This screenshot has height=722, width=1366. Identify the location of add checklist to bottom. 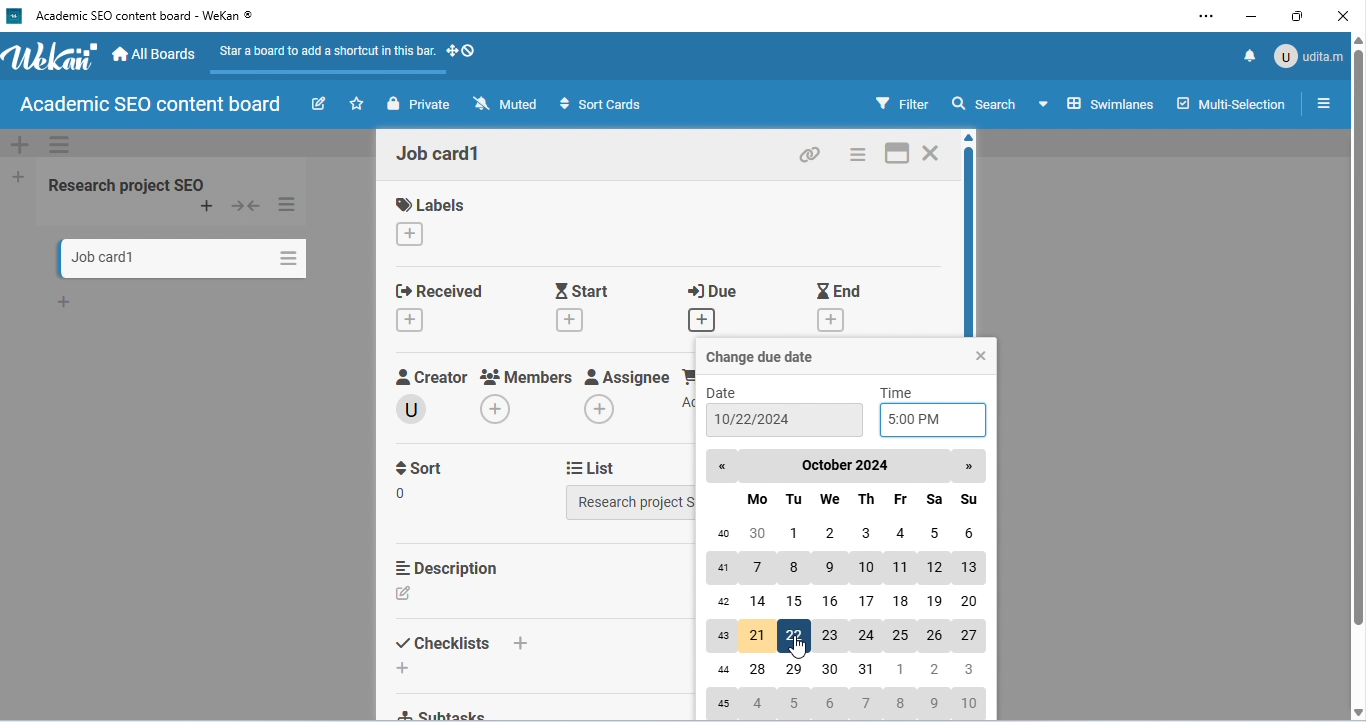
(406, 668).